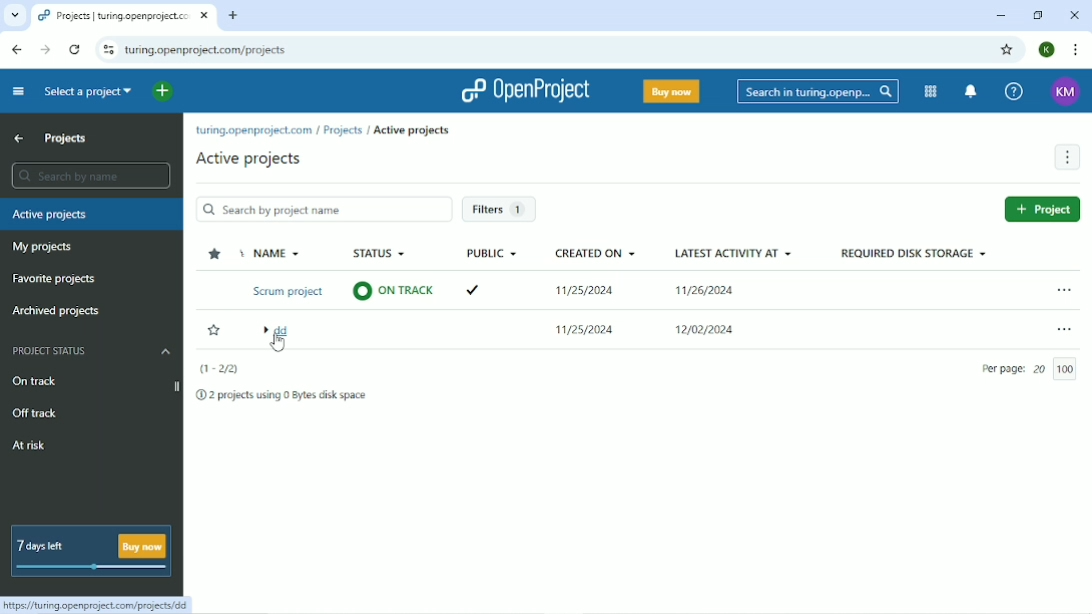 The height and width of the screenshot is (614, 1092). What do you see at coordinates (1007, 50) in the screenshot?
I see `Bookmark this tab` at bounding box center [1007, 50].